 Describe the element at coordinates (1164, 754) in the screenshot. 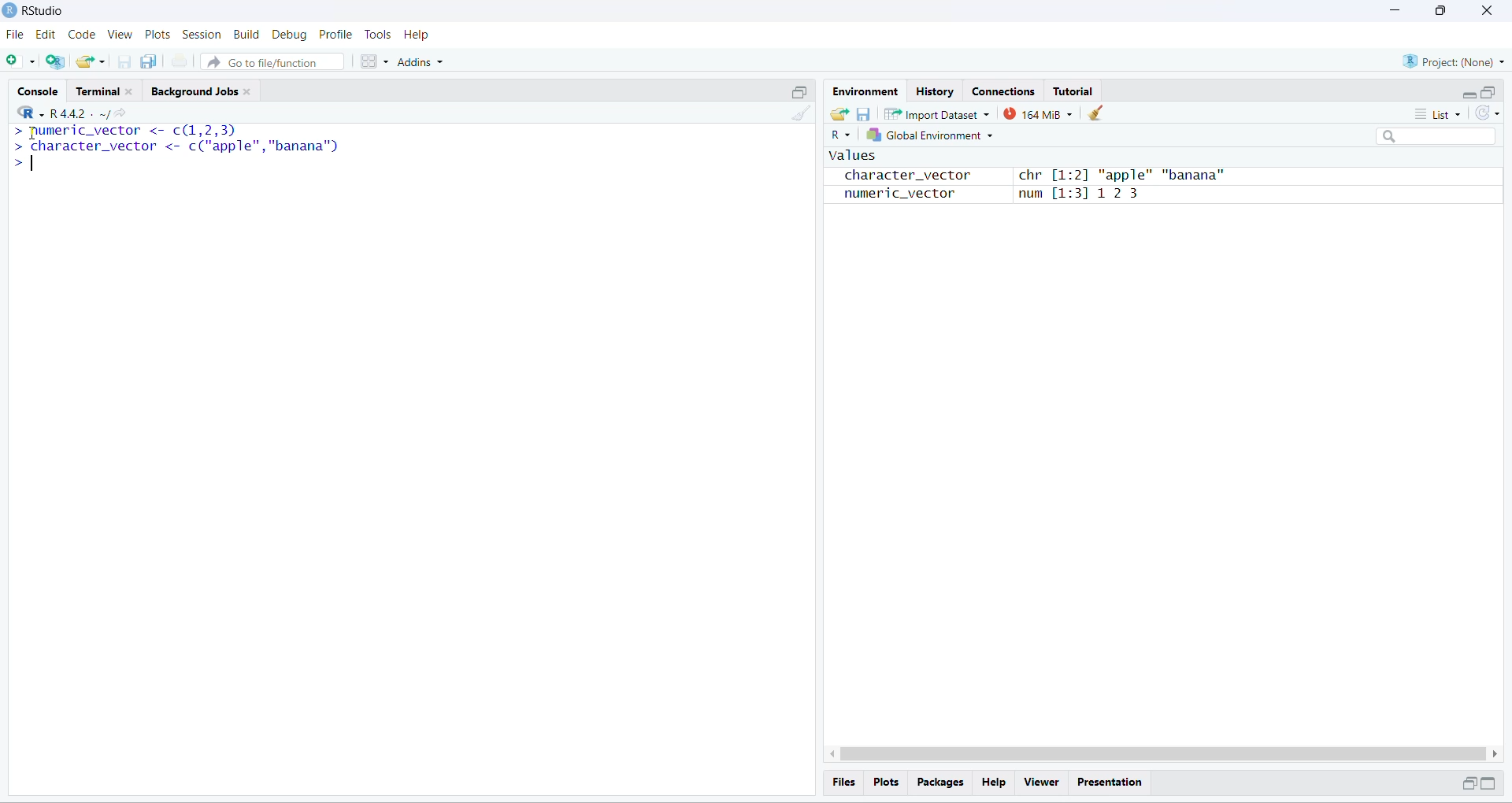

I see `scrollbar` at that location.